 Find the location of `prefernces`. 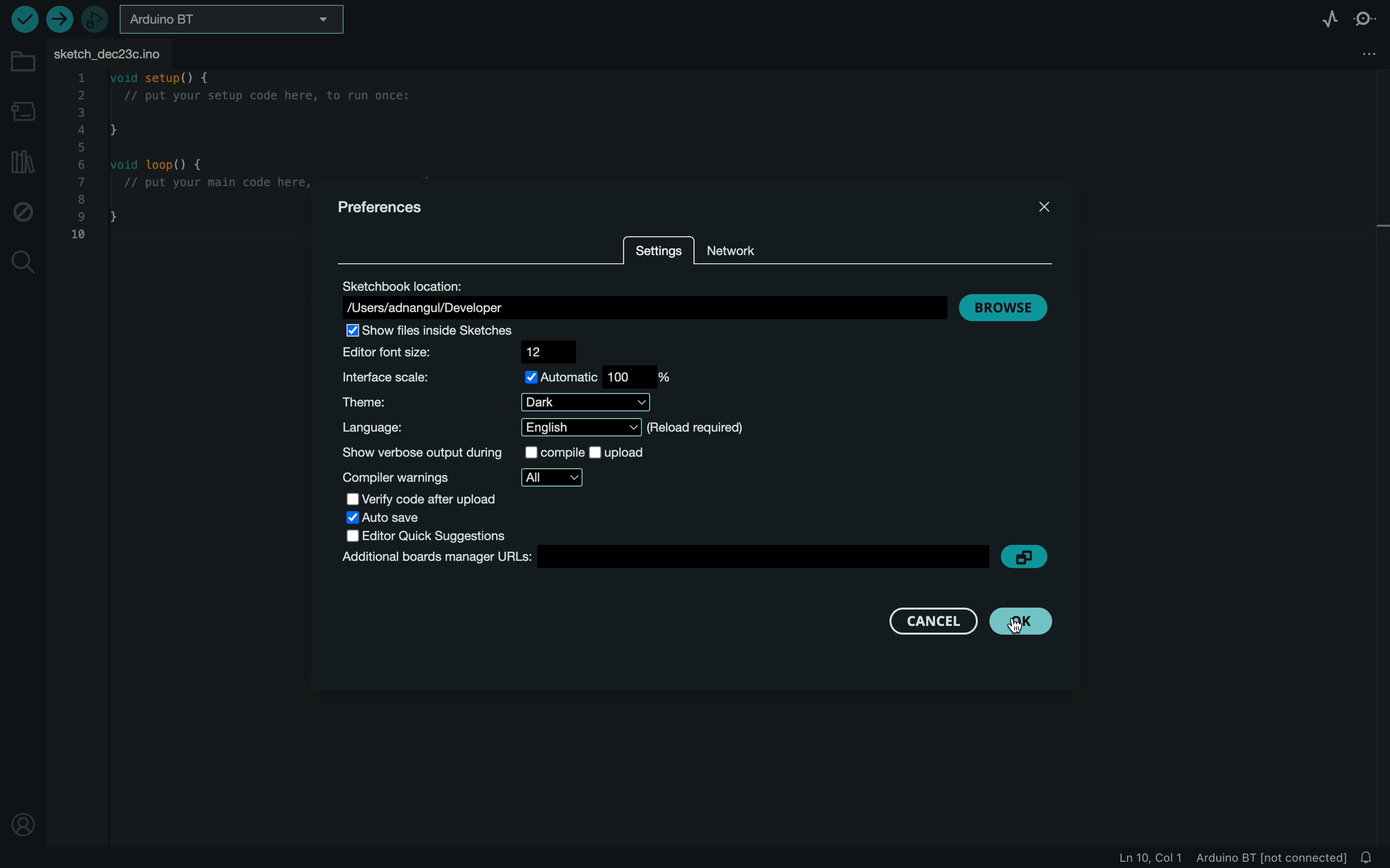

prefernces is located at coordinates (380, 206).